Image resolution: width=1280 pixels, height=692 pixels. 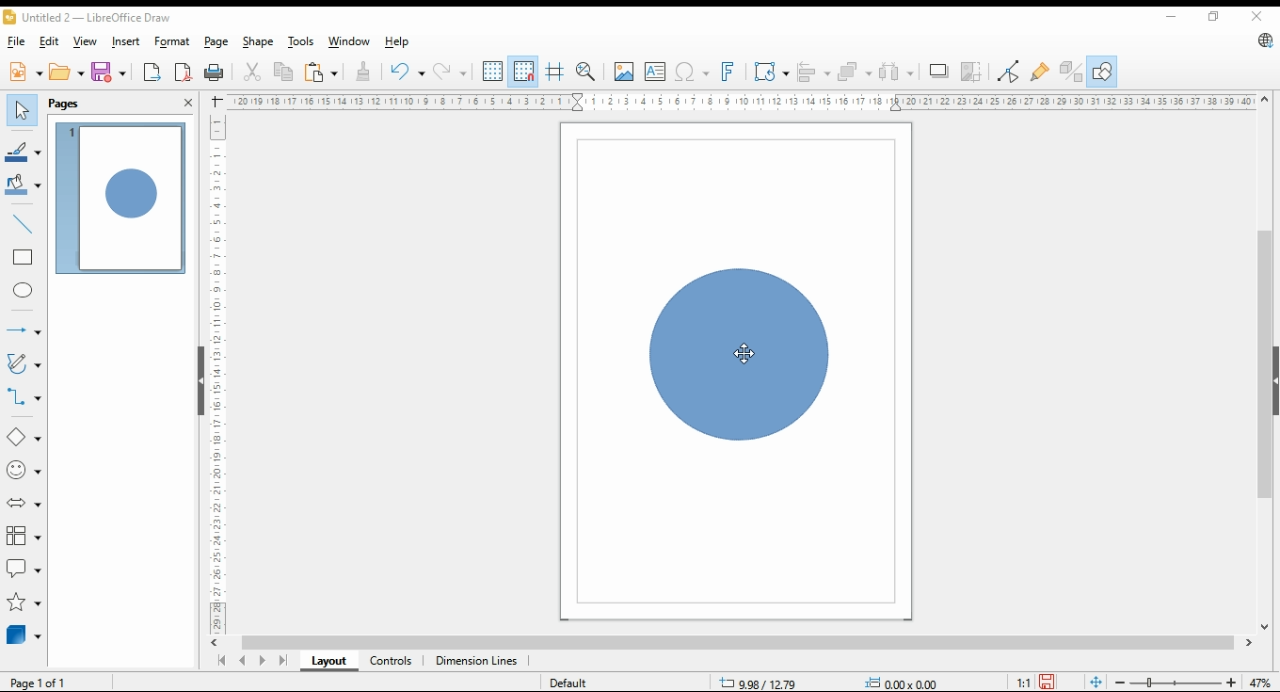 I want to click on arrange, so click(x=854, y=71).